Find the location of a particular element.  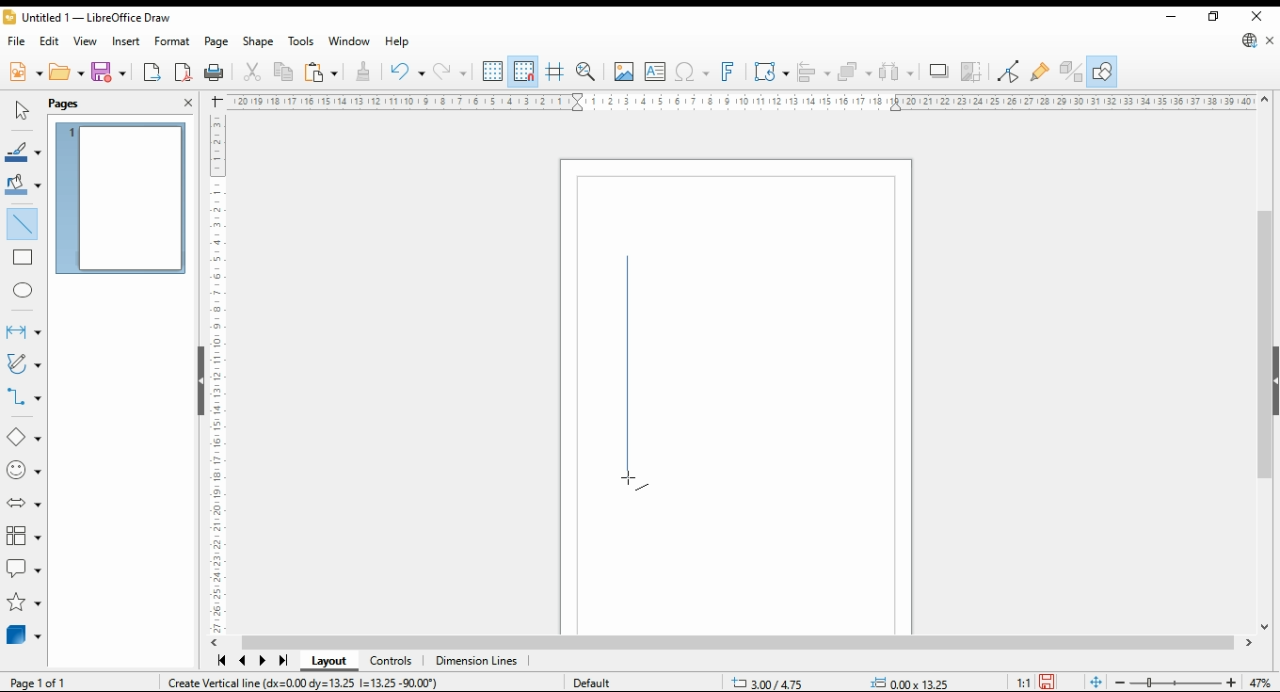

symbol shapes is located at coordinates (25, 471).